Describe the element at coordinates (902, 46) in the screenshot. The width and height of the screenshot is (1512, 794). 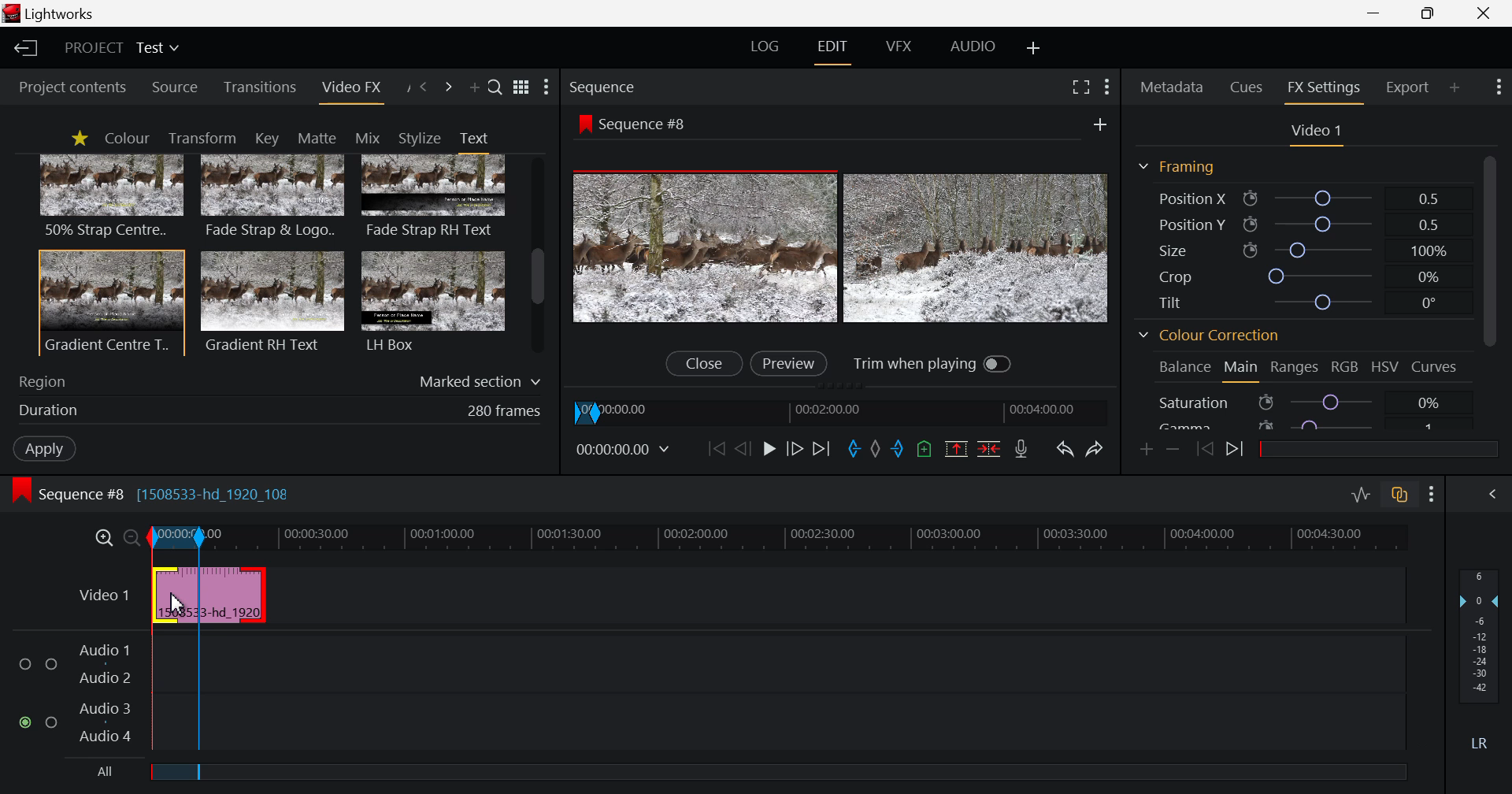
I see `VFX Layout` at that location.